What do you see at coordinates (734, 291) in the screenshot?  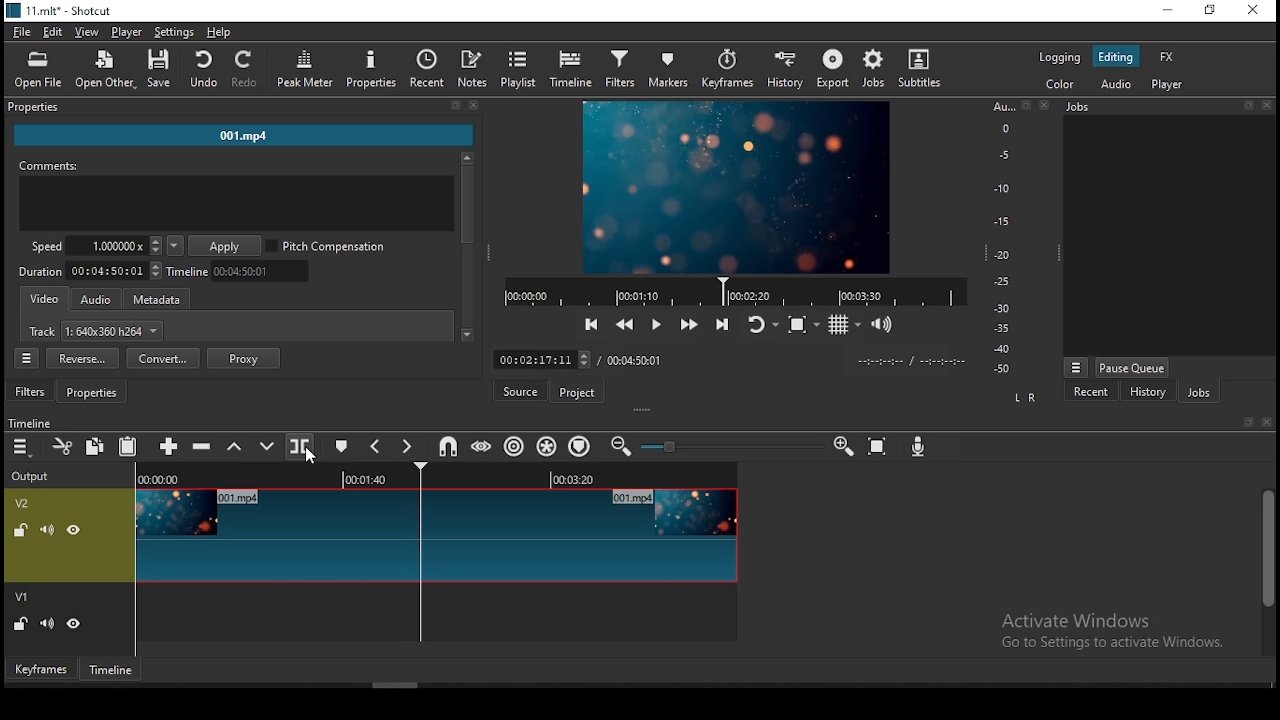 I see `TIMELINE` at bounding box center [734, 291].